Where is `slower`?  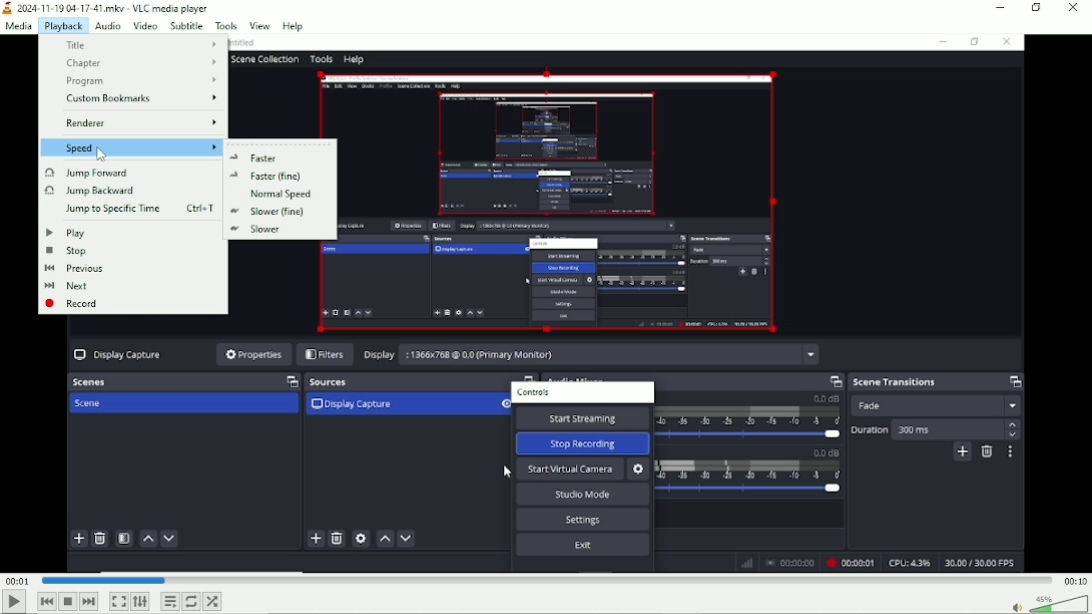 slower is located at coordinates (278, 230).